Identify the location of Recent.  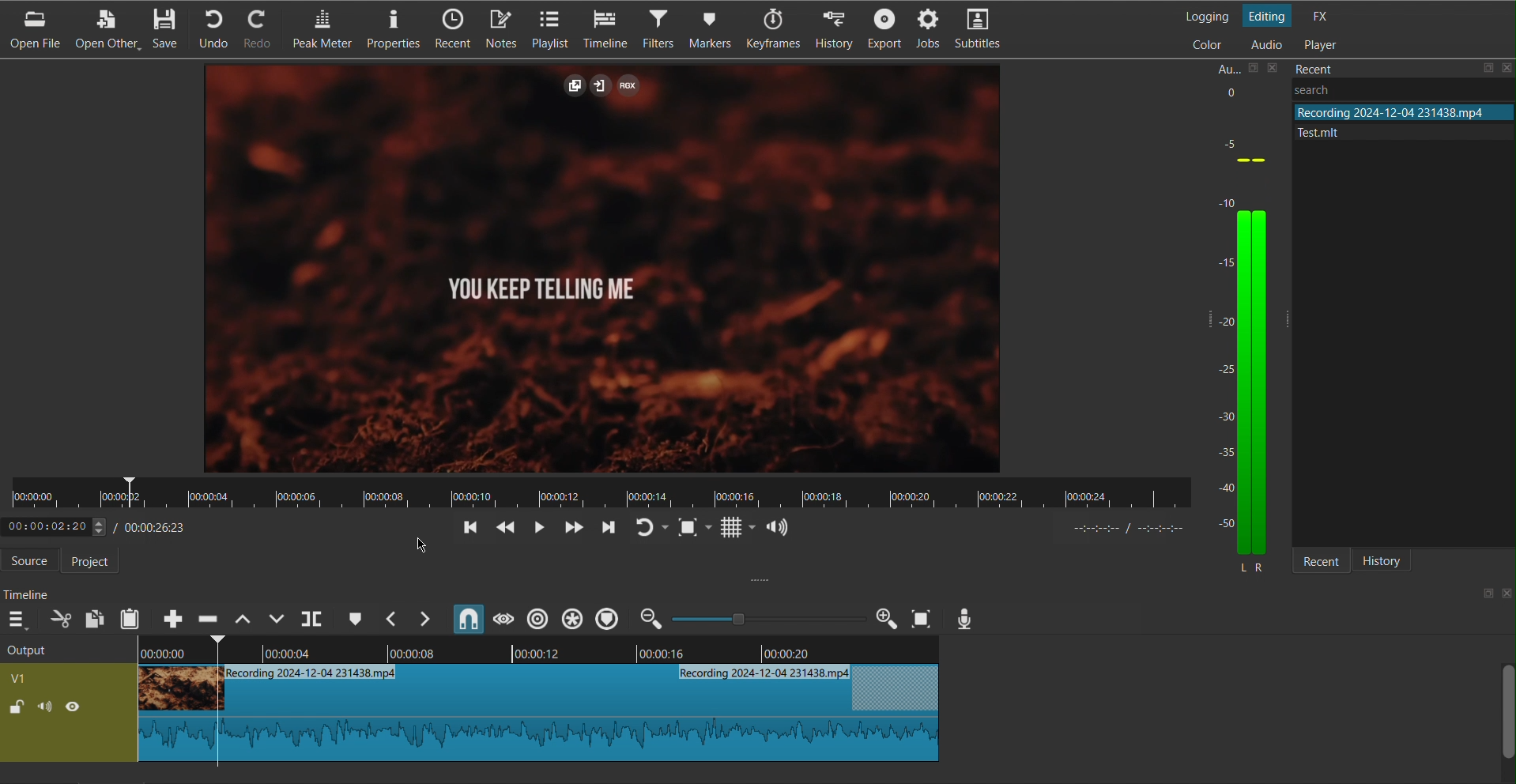
(451, 30).